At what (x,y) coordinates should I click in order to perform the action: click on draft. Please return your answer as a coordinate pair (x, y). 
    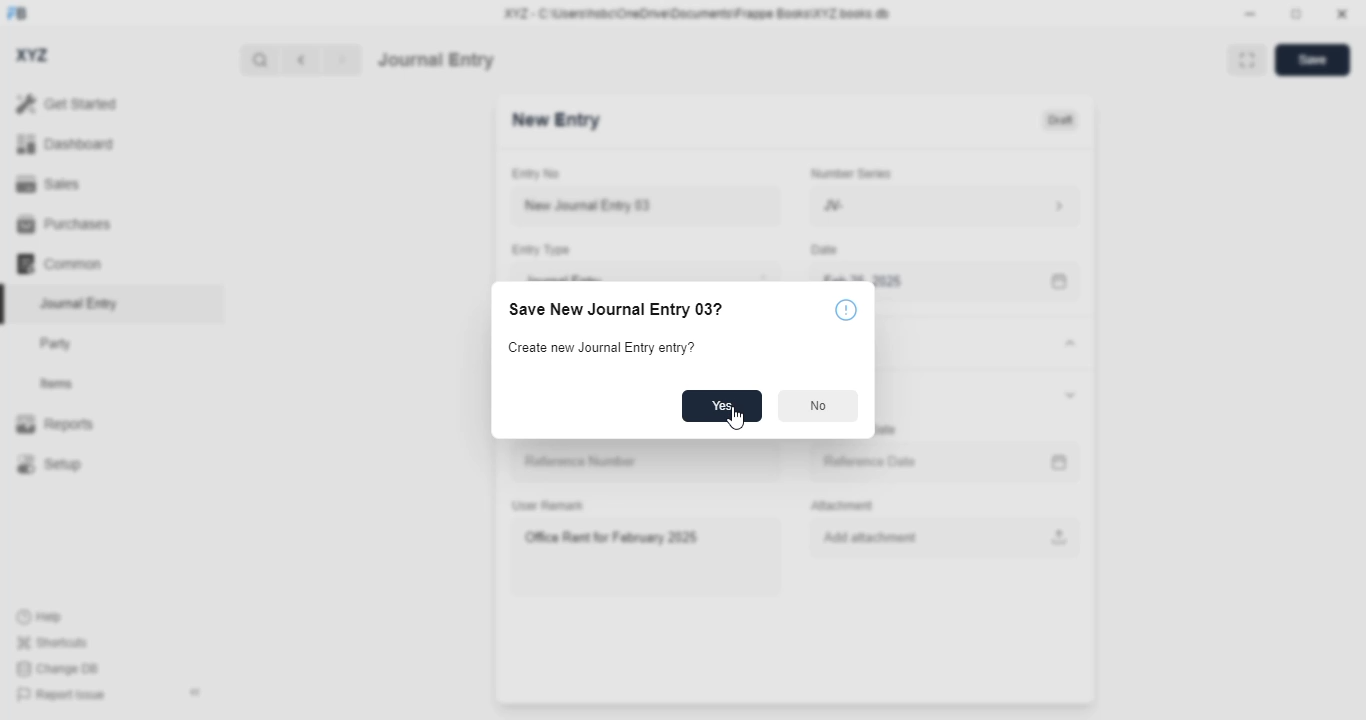
    Looking at the image, I should click on (1061, 121).